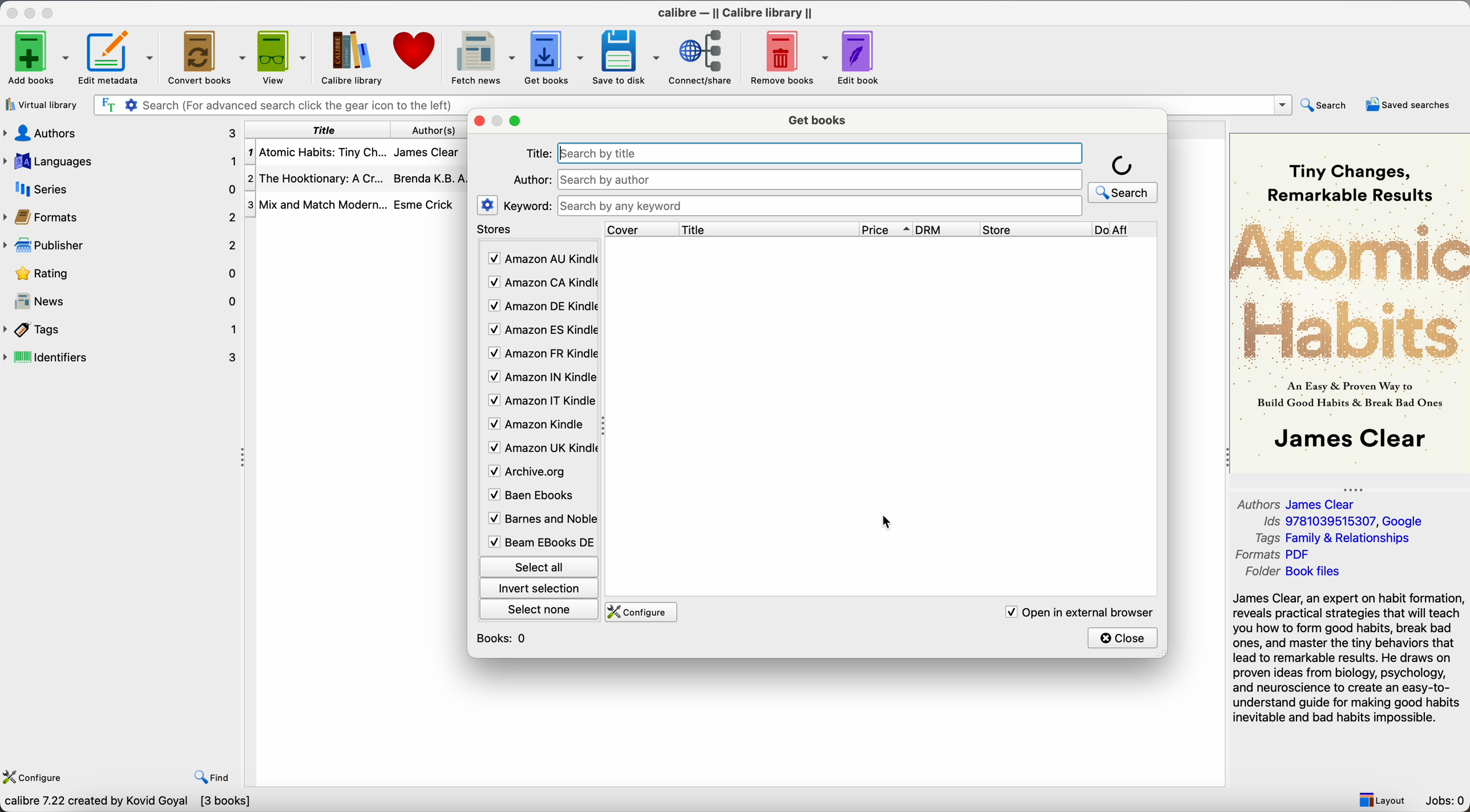  Describe the element at coordinates (1350, 658) in the screenshot. I see `synopsis` at that location.